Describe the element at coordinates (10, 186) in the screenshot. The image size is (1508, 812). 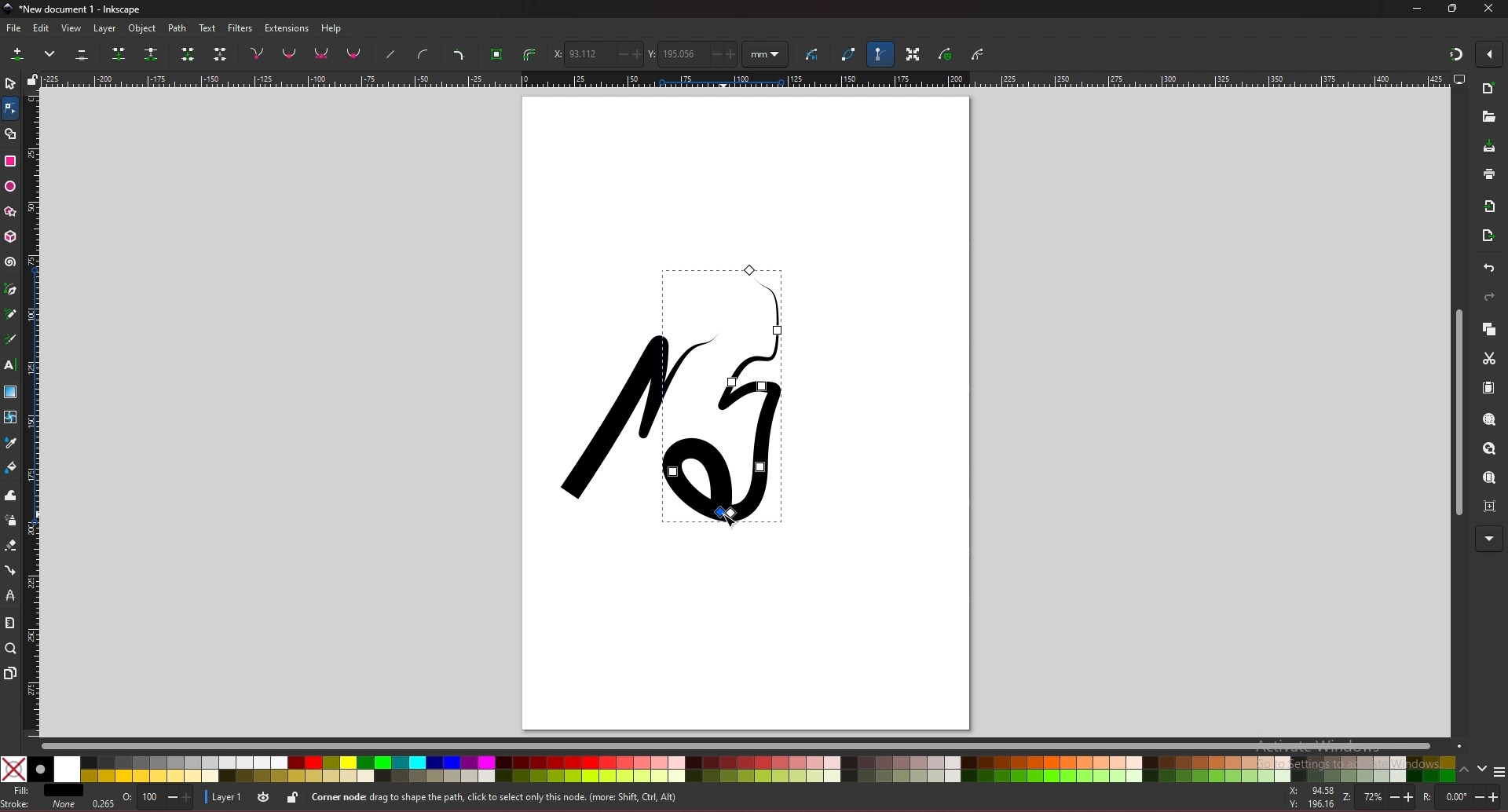
I see `ellipse` at that location.